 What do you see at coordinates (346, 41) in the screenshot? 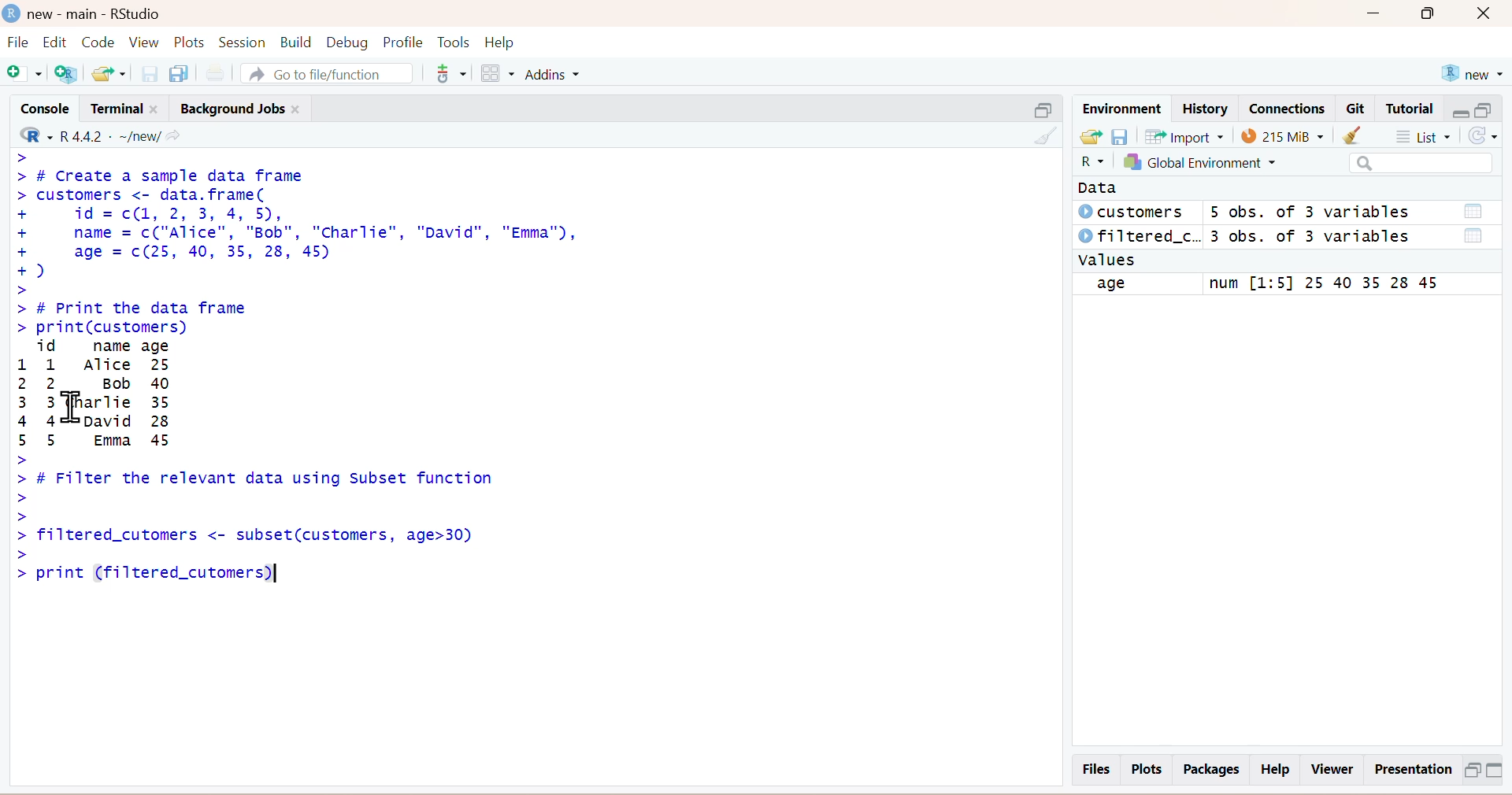
I see `Debug` at bounding box center [346, 41].